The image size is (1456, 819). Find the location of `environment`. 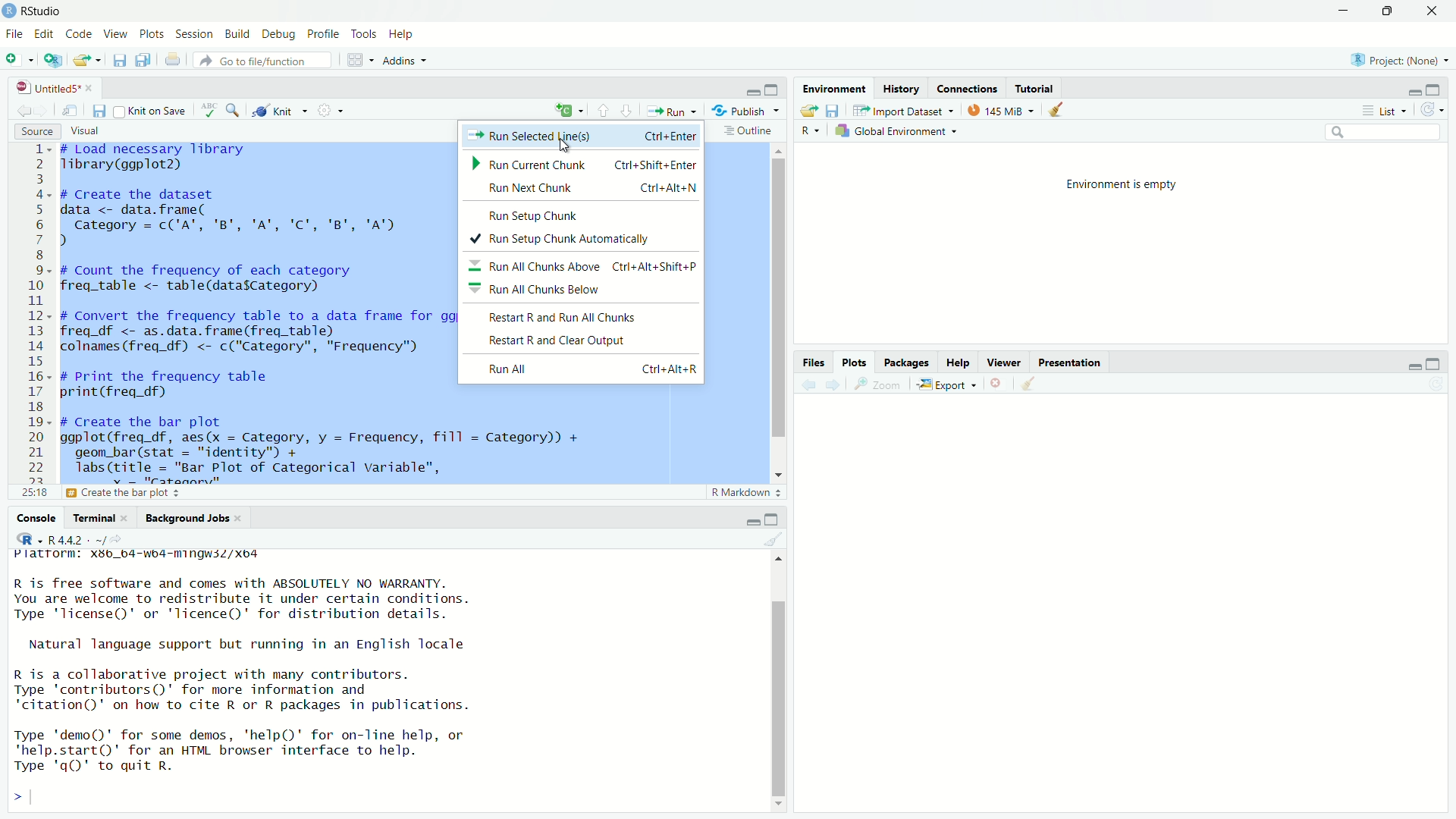

environment is located at coordinates (836, 88).